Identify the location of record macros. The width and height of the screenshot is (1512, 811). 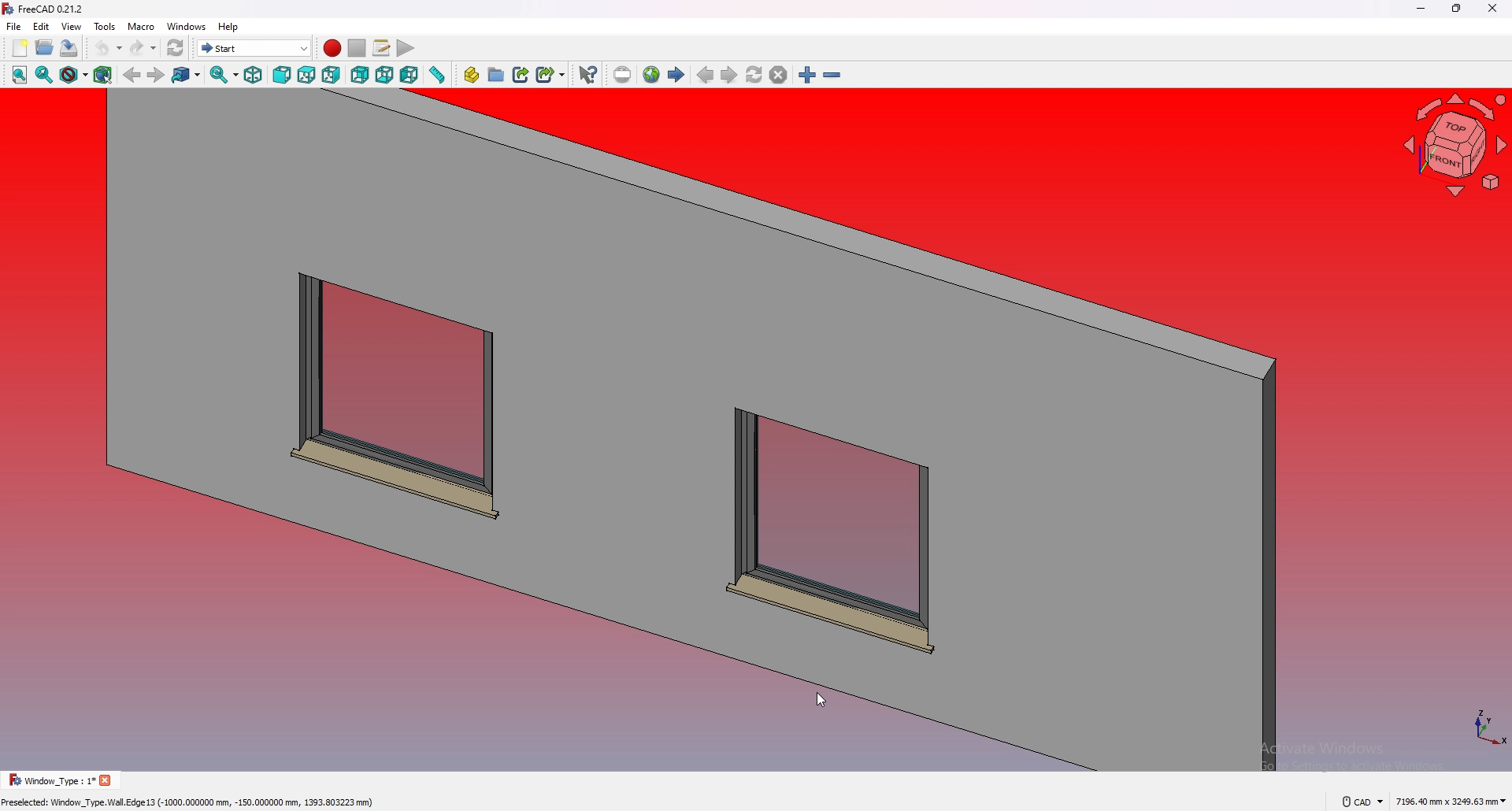
(332, 48).